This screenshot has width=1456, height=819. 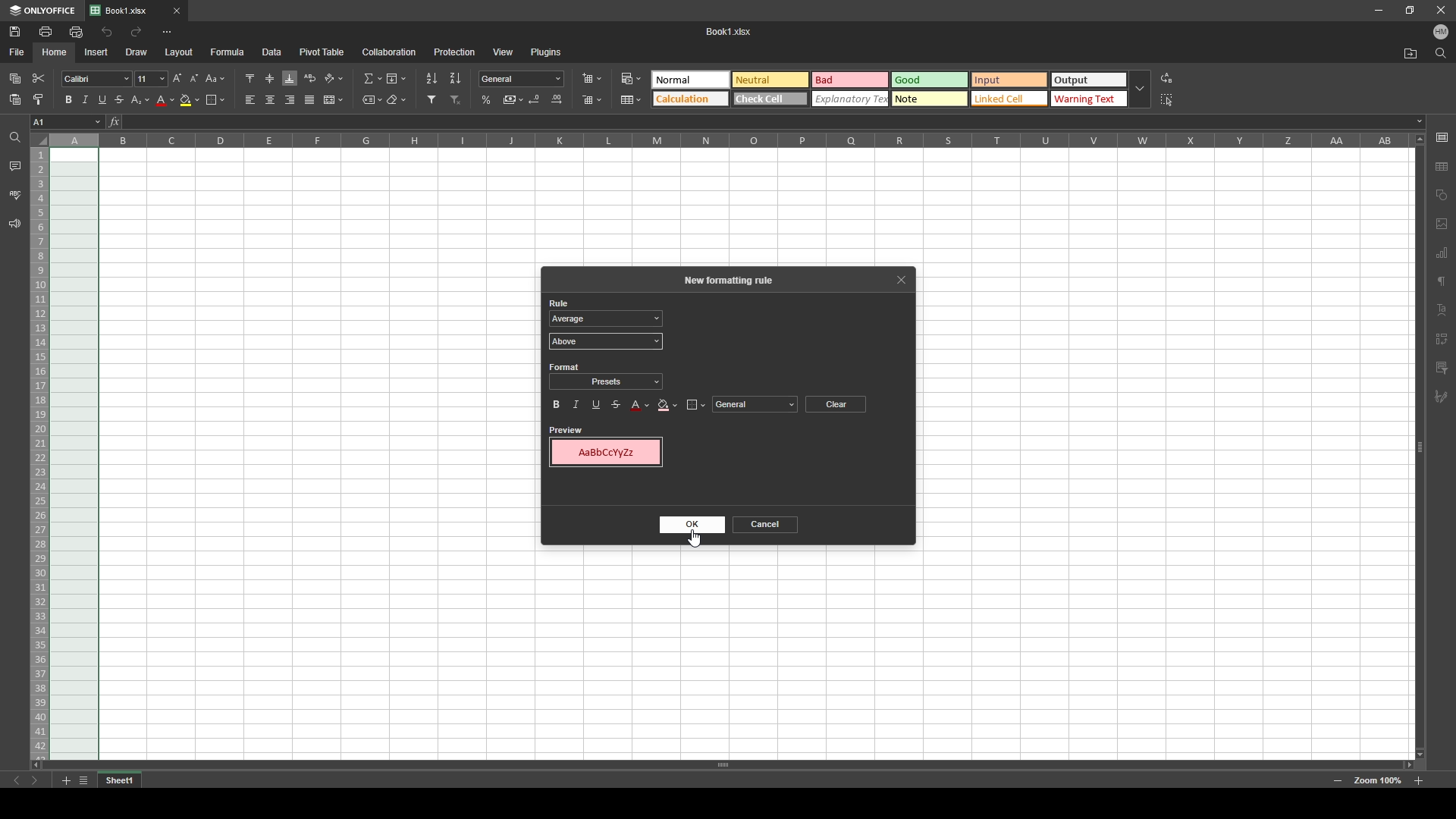 What do you see at coordinates (66, 121) in the screenshot?
I see `chosen cell` at bounding box center [66, 121].